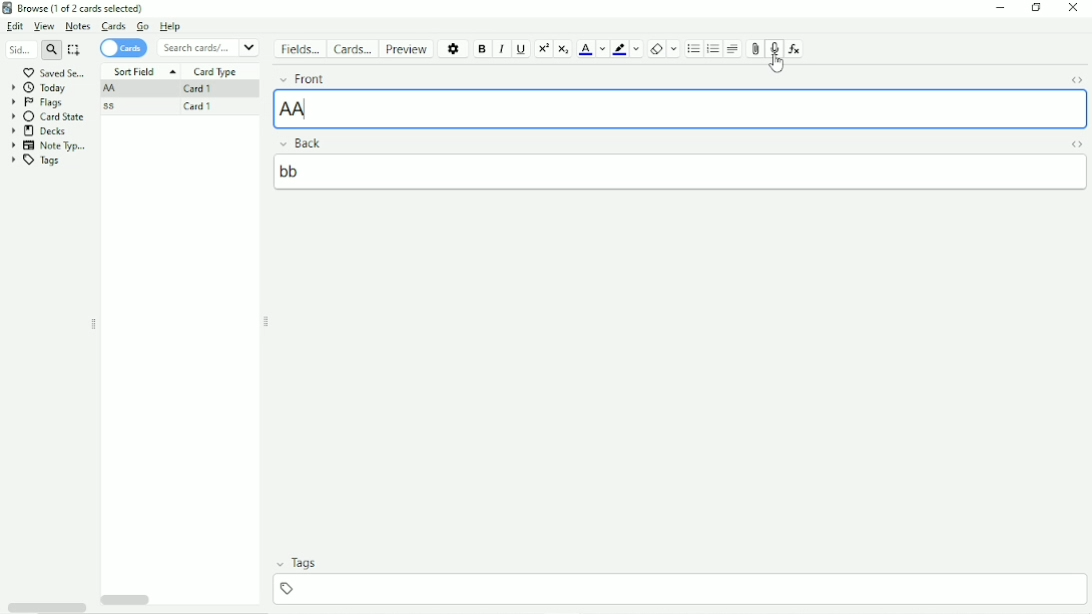  What do you see at coordinates (32, 50) in the screenshot?
I see `Search` at bounding box center [32, 50].